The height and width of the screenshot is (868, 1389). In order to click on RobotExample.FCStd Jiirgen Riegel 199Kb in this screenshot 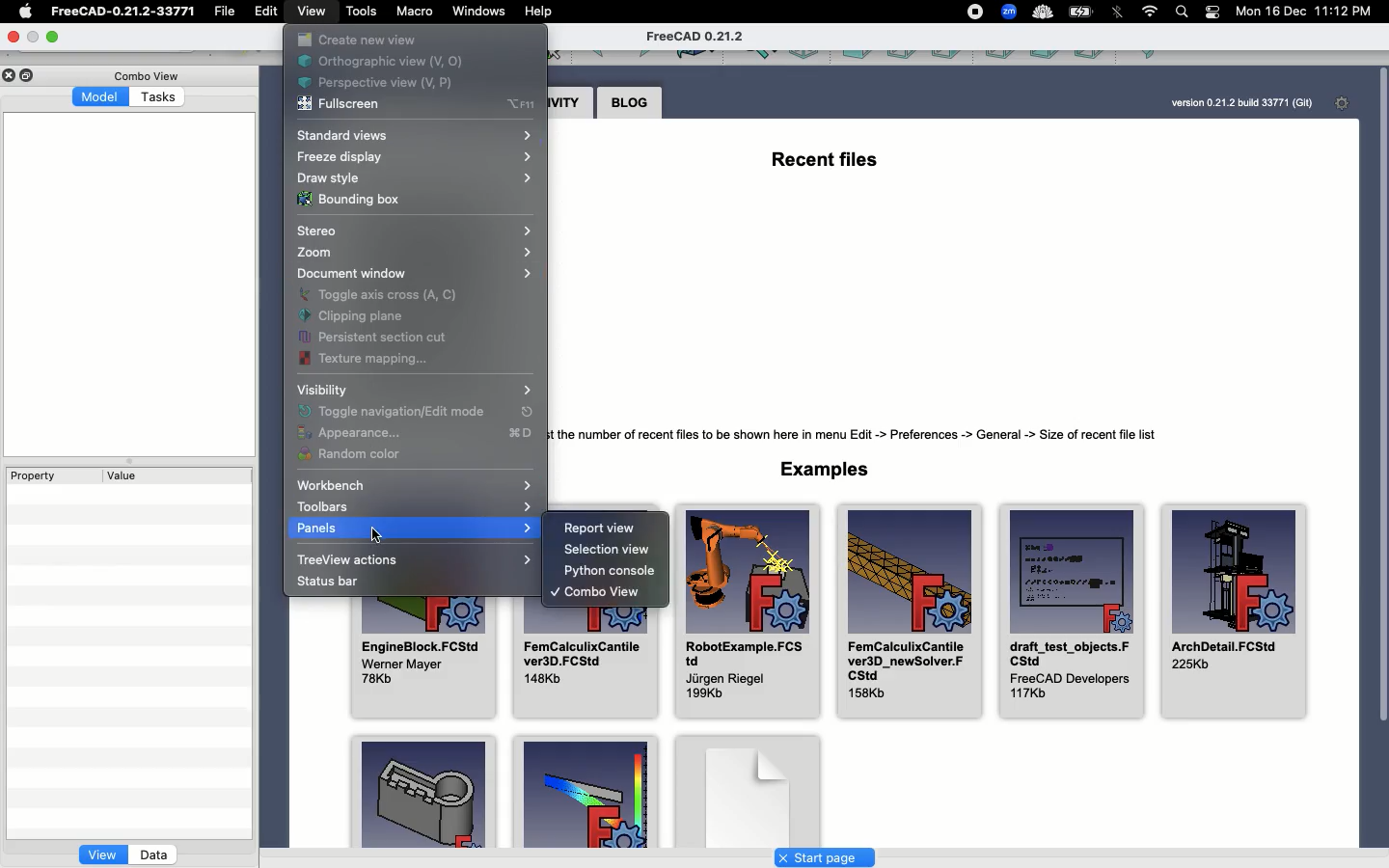, I will do `click(746, 612)`.